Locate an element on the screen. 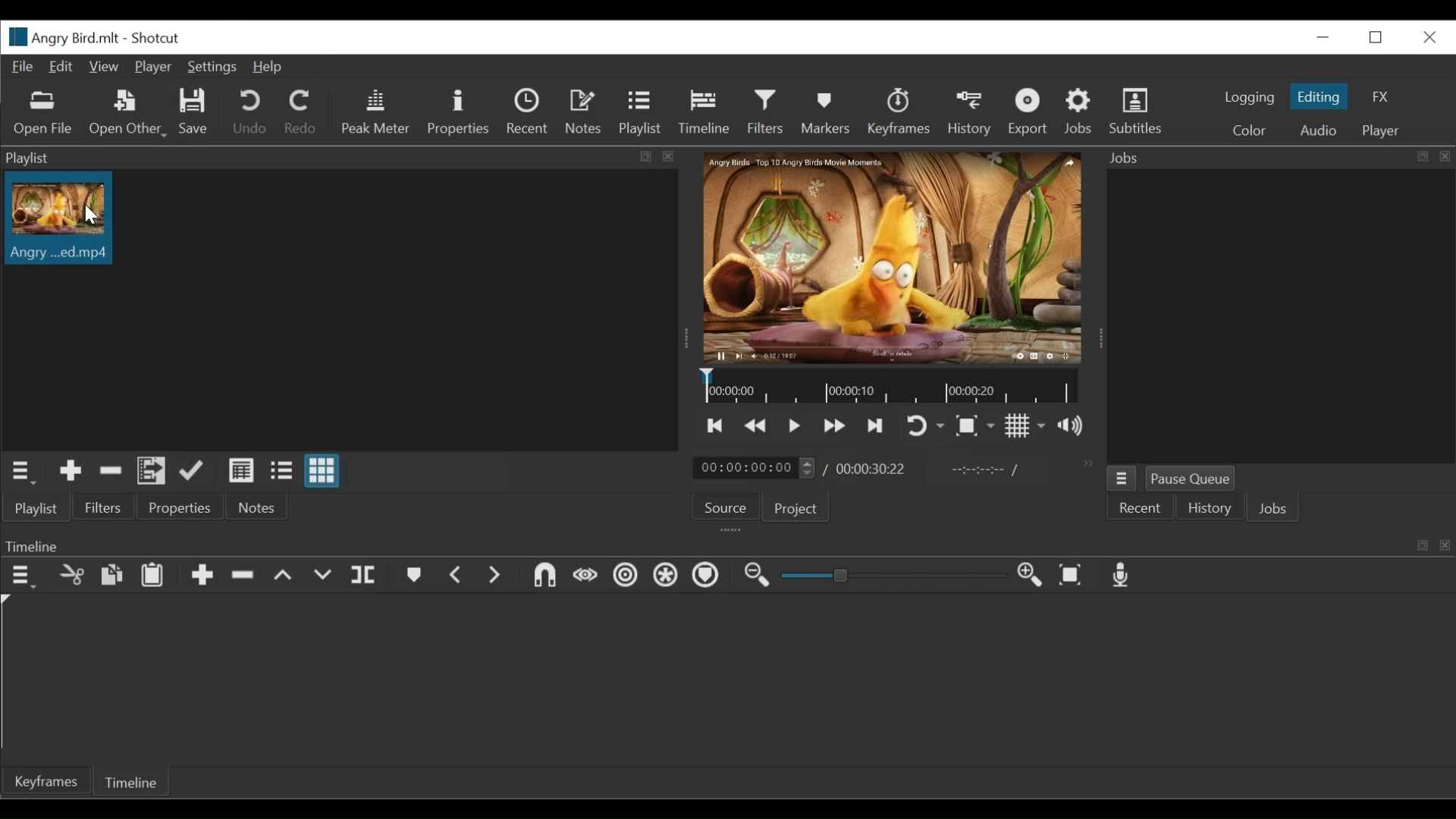 This screenshot has width=1456, height=819. zoom slider is located at coordinates (890, 577).